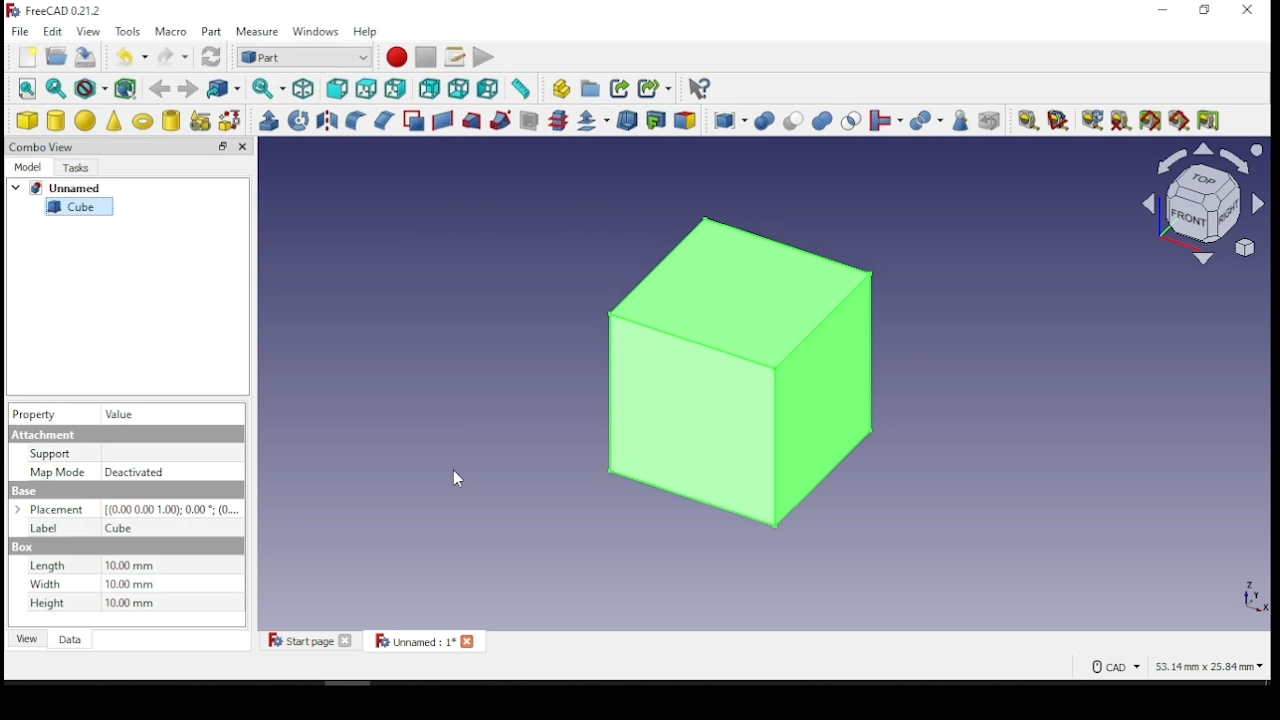 This screenshot has height=720, width=1280. Describe the element at coordinates (81, 166) in the screenshot. I see `tasks` at that location.